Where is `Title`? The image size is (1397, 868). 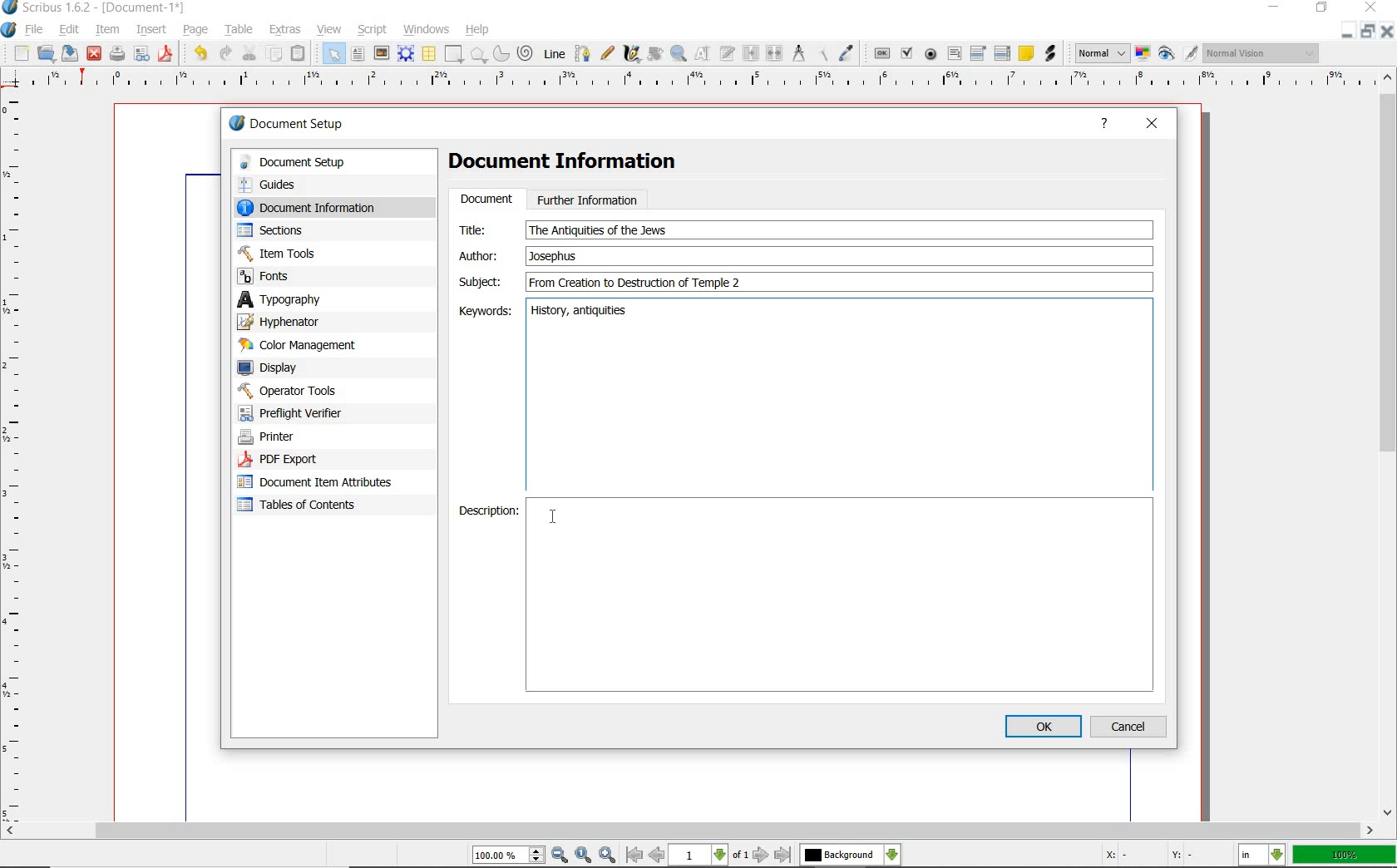
Title is located at coordinates (483, 229).